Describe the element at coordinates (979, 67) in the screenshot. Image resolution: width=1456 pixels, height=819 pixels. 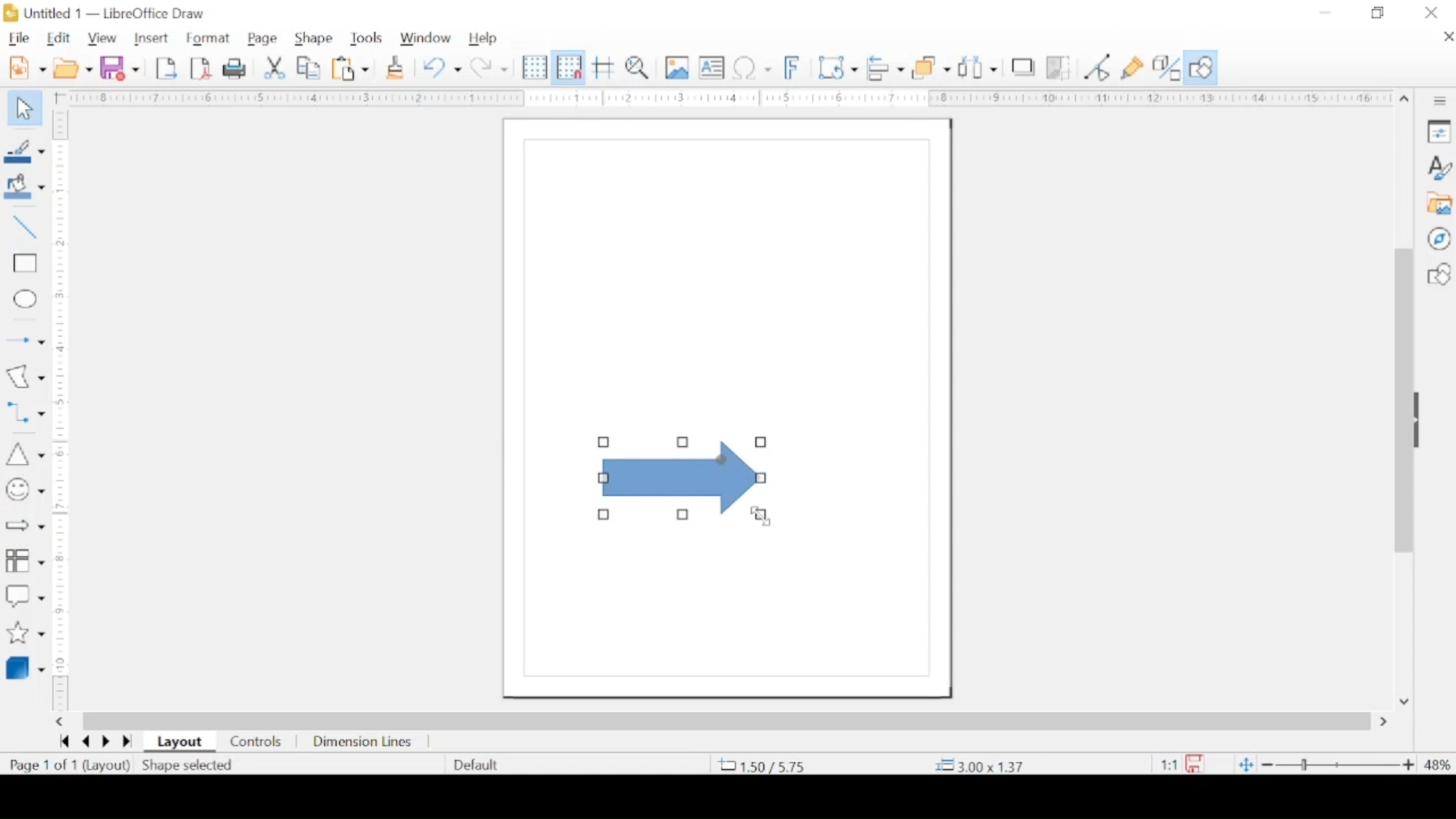
I see `select at least three objects to distribute` at that location.